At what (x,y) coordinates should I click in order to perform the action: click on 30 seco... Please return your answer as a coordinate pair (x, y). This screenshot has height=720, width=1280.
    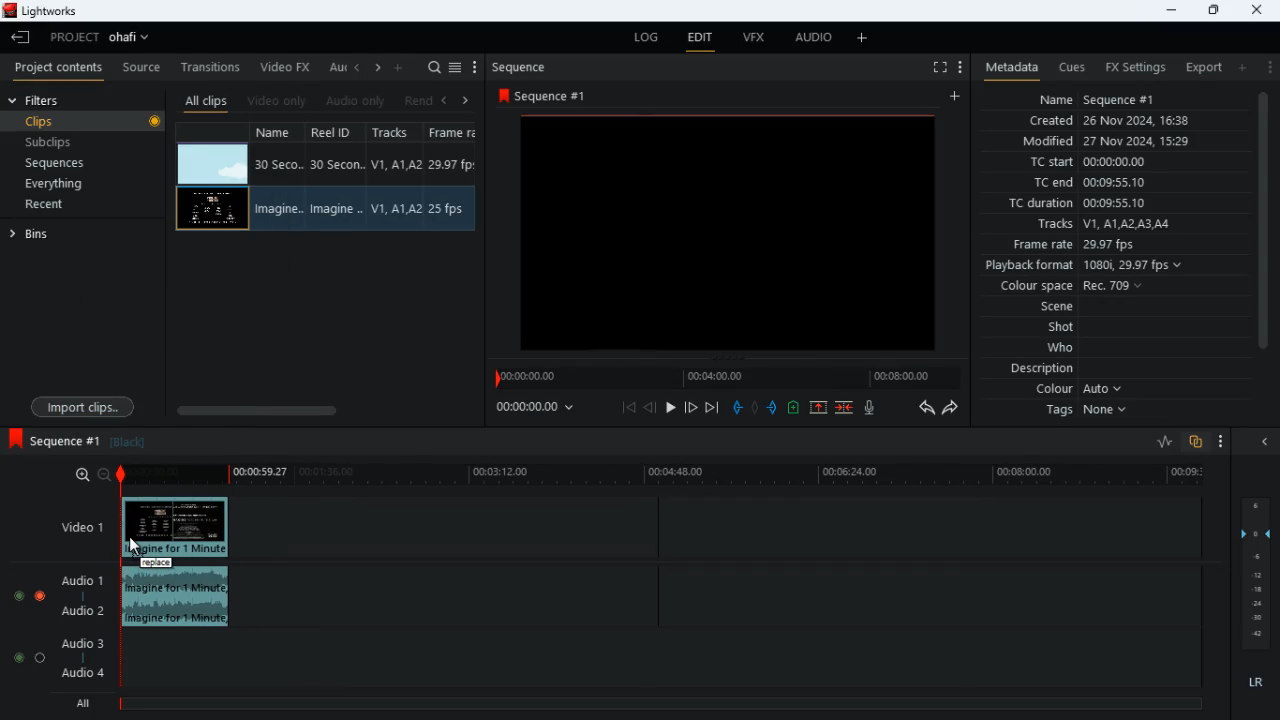
    Looking at the image, I should click on (279, 163).